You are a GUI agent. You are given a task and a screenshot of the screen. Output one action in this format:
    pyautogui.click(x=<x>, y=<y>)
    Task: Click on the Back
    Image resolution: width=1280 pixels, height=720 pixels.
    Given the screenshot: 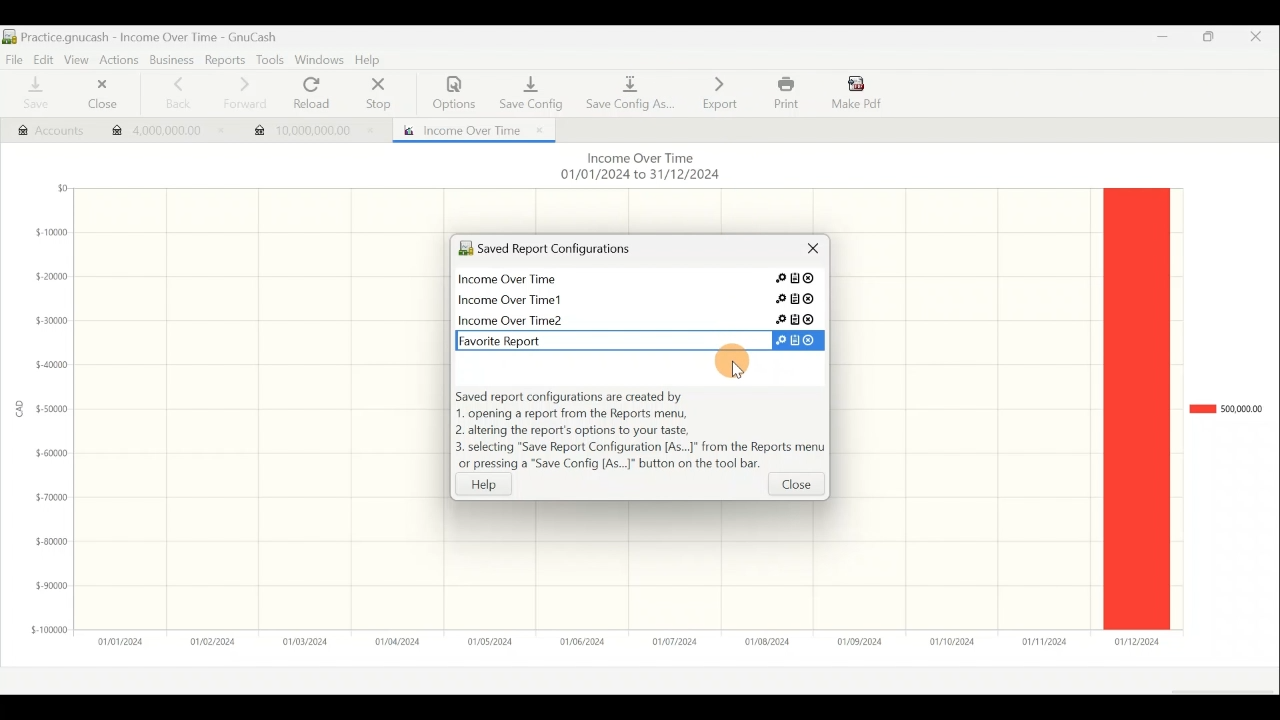 What is the action you would take?
    pyautogui.click(x=172, y=93)
    